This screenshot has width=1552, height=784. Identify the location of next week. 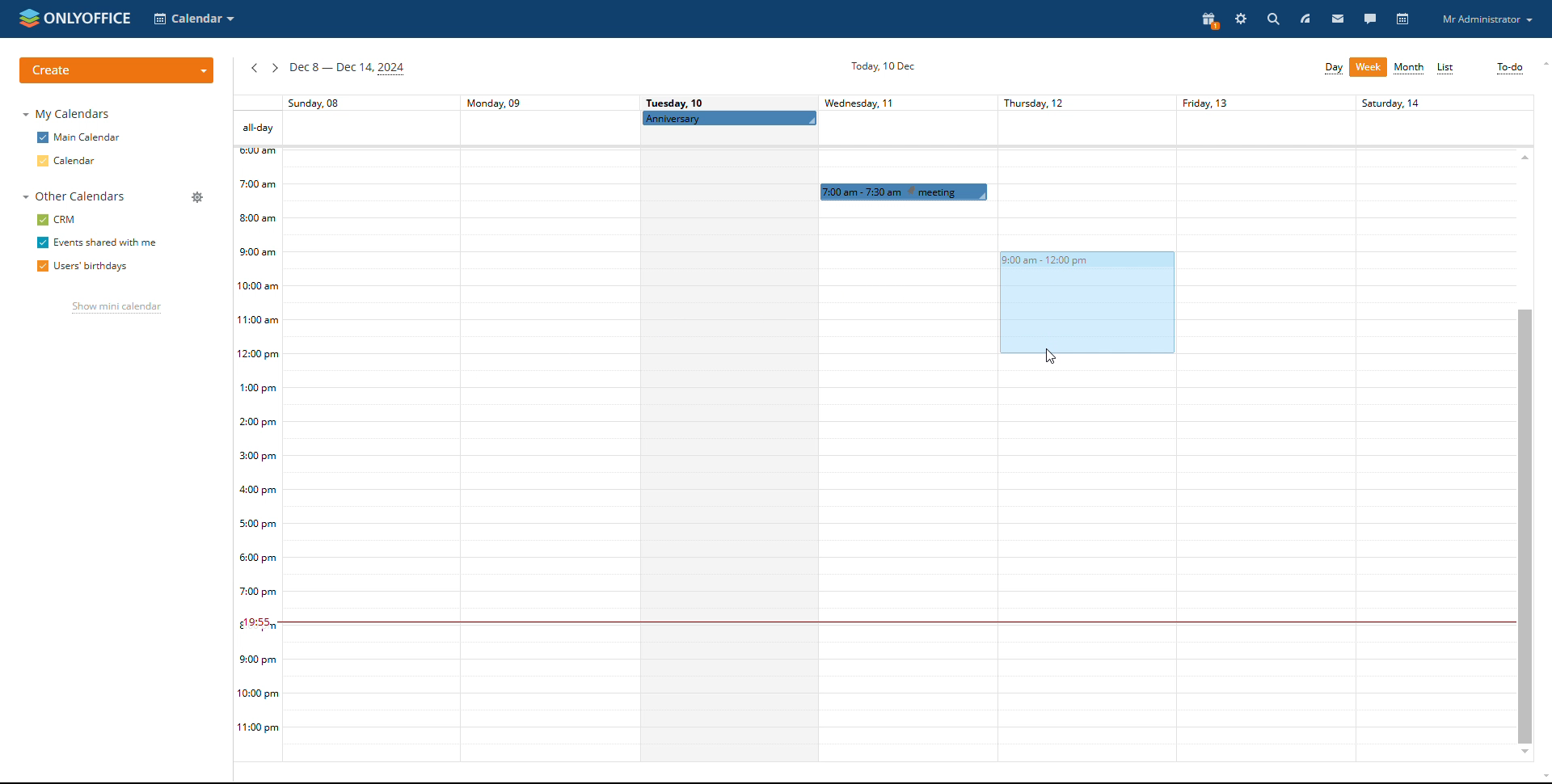
(274, 68).